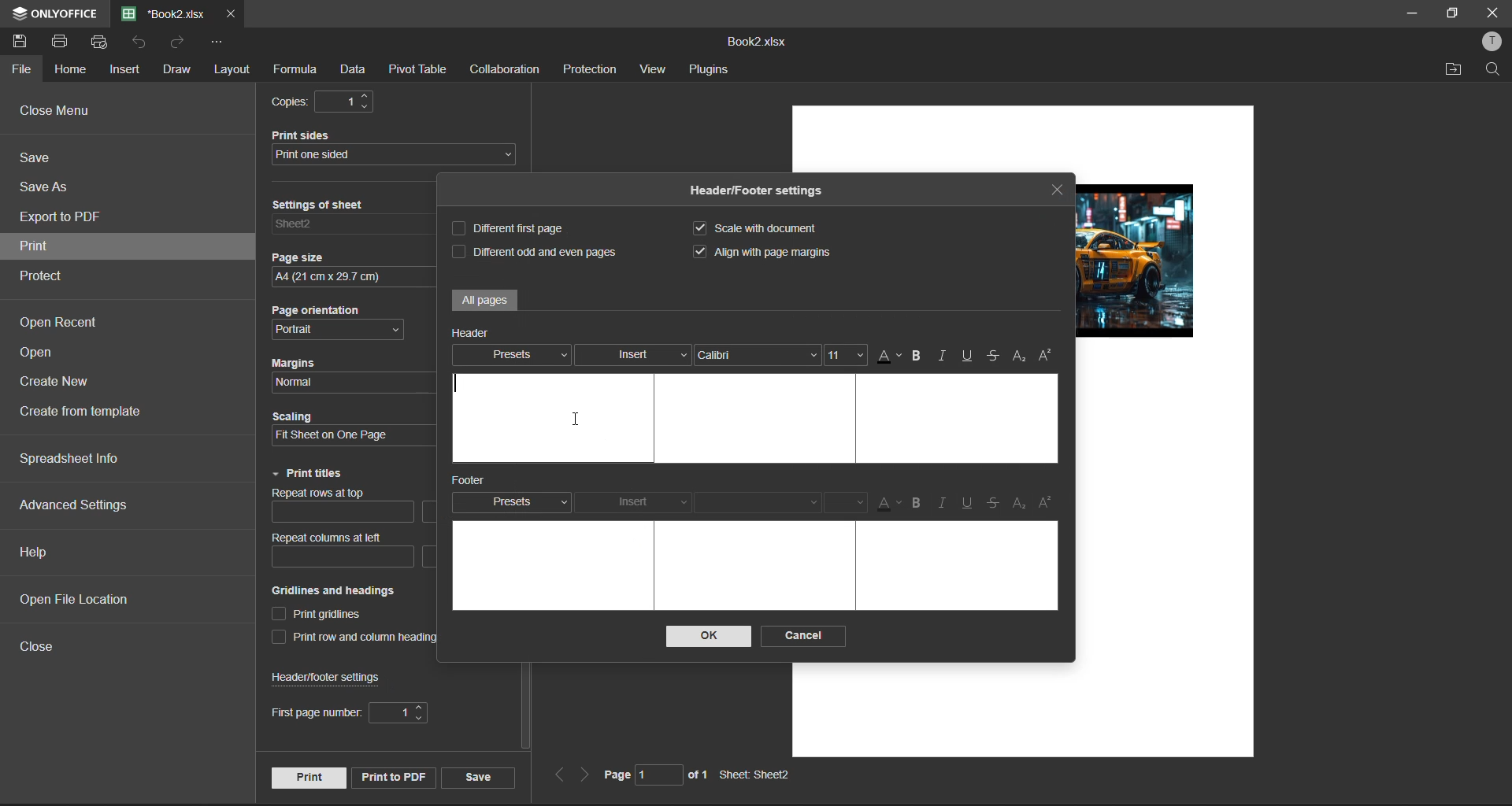 This screenshot has width=1512, height=806. I want to click on customize quick access toolbar, so click(223, 46).